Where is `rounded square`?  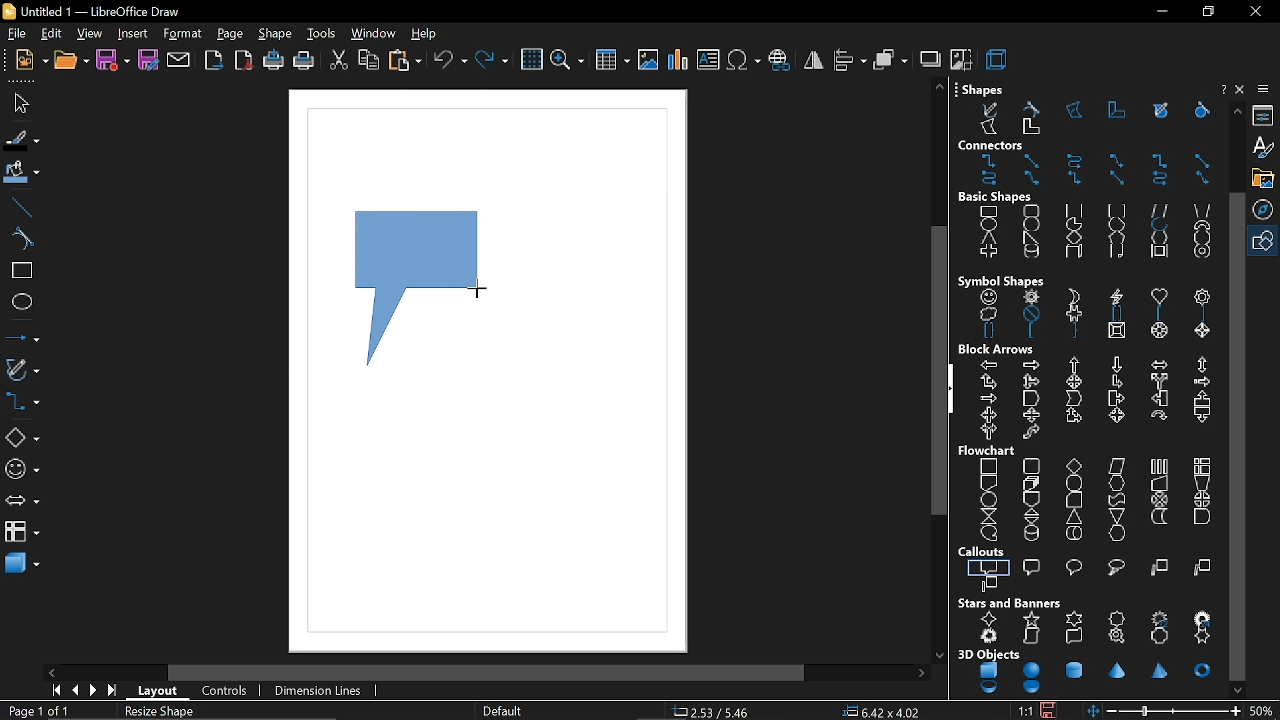 rounded square is located at coordinates (1115, 210).